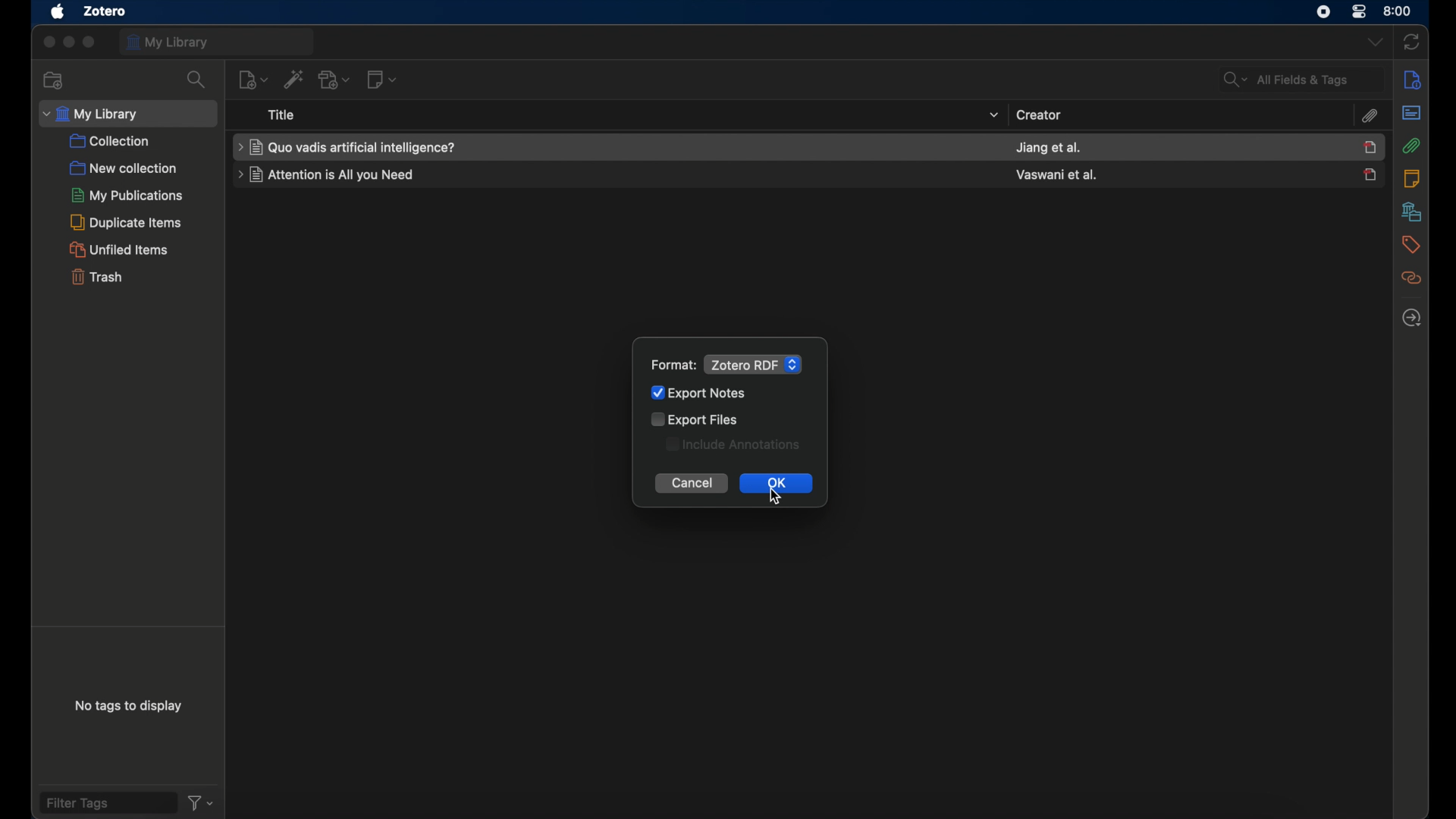 This screenshot has width=1456, height=819. What do you see at coordinates (68, 42) in the screenshot?
I see `minimize` at bounding box center [68, 42].